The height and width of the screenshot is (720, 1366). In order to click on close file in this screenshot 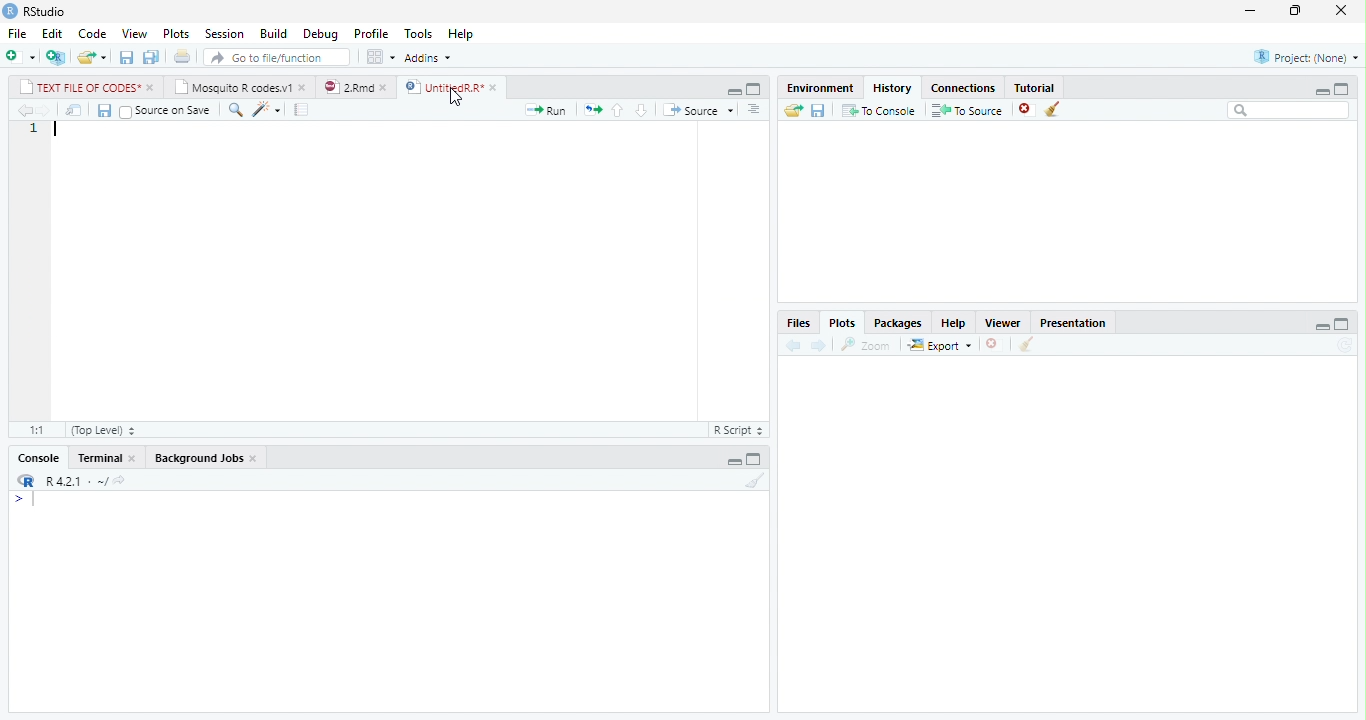, I will do `click(1028, 109)`.